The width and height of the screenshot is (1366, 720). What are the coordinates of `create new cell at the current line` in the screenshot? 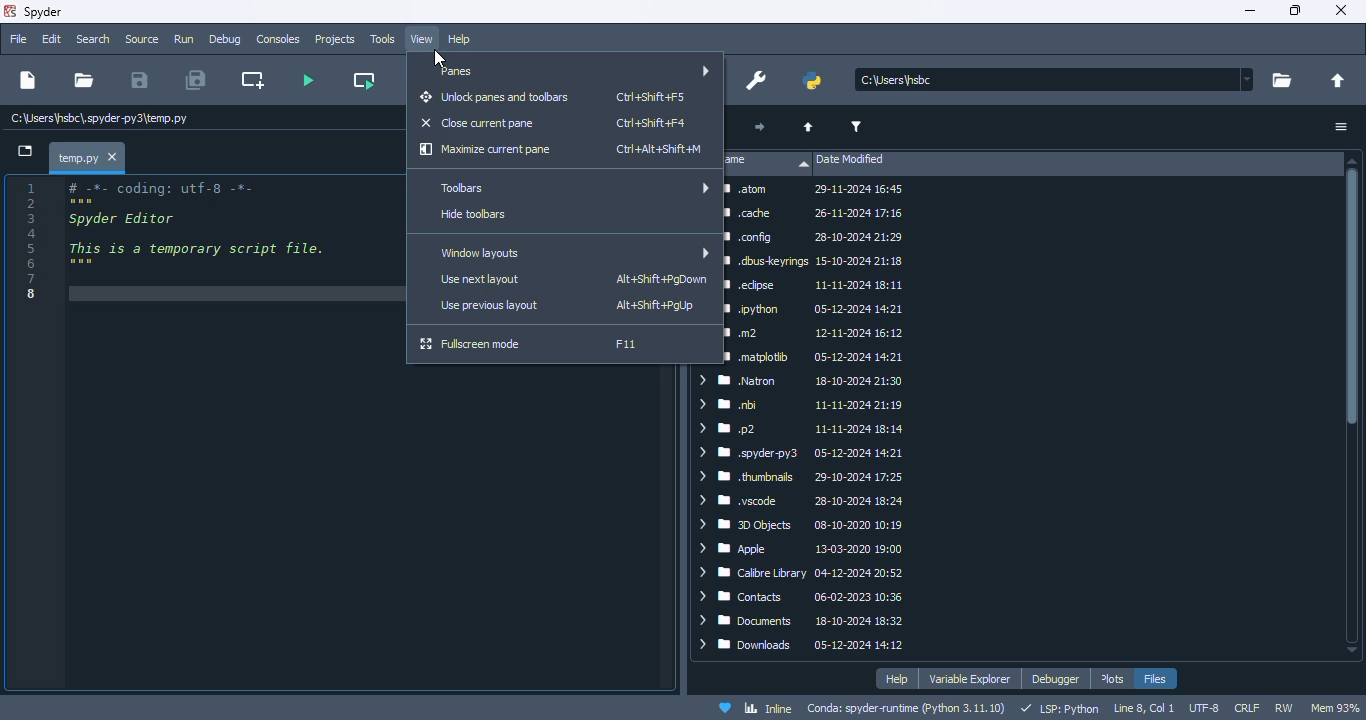 It's located at (254, 80).